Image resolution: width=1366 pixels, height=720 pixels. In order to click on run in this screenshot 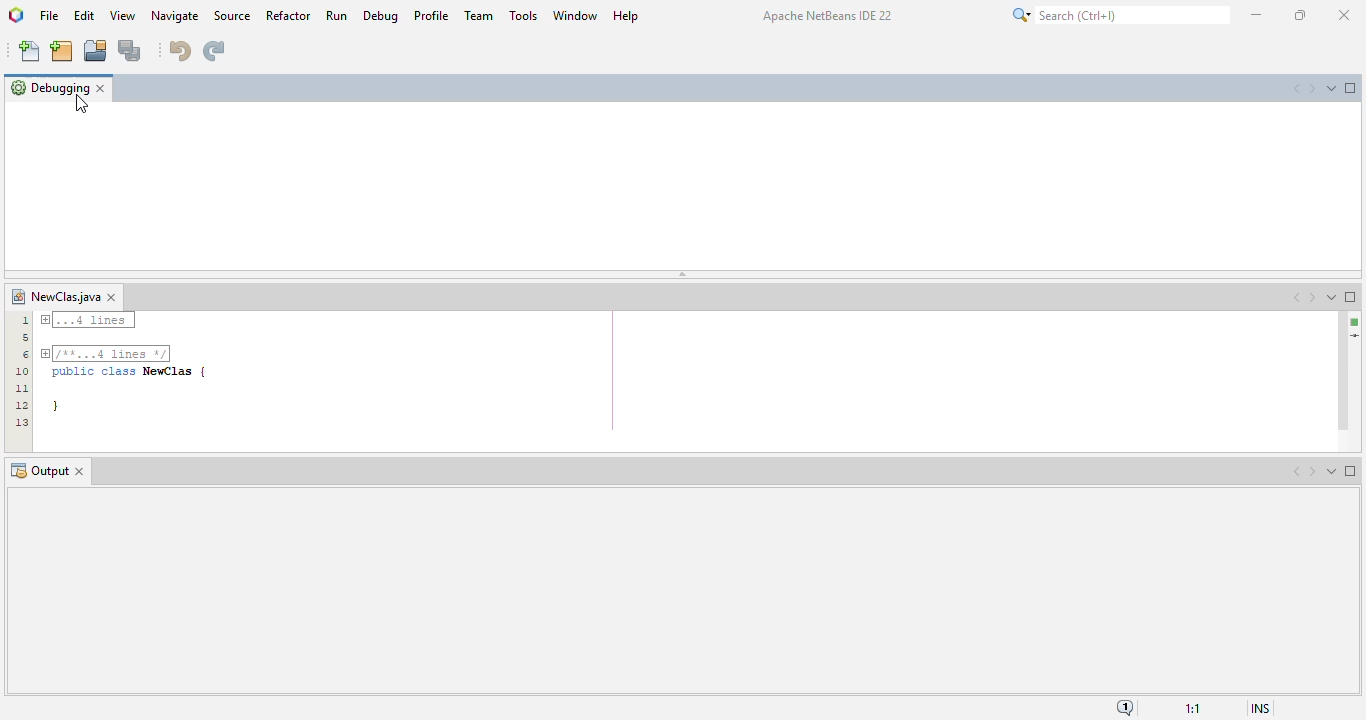, I will do `click(336, 15)`.